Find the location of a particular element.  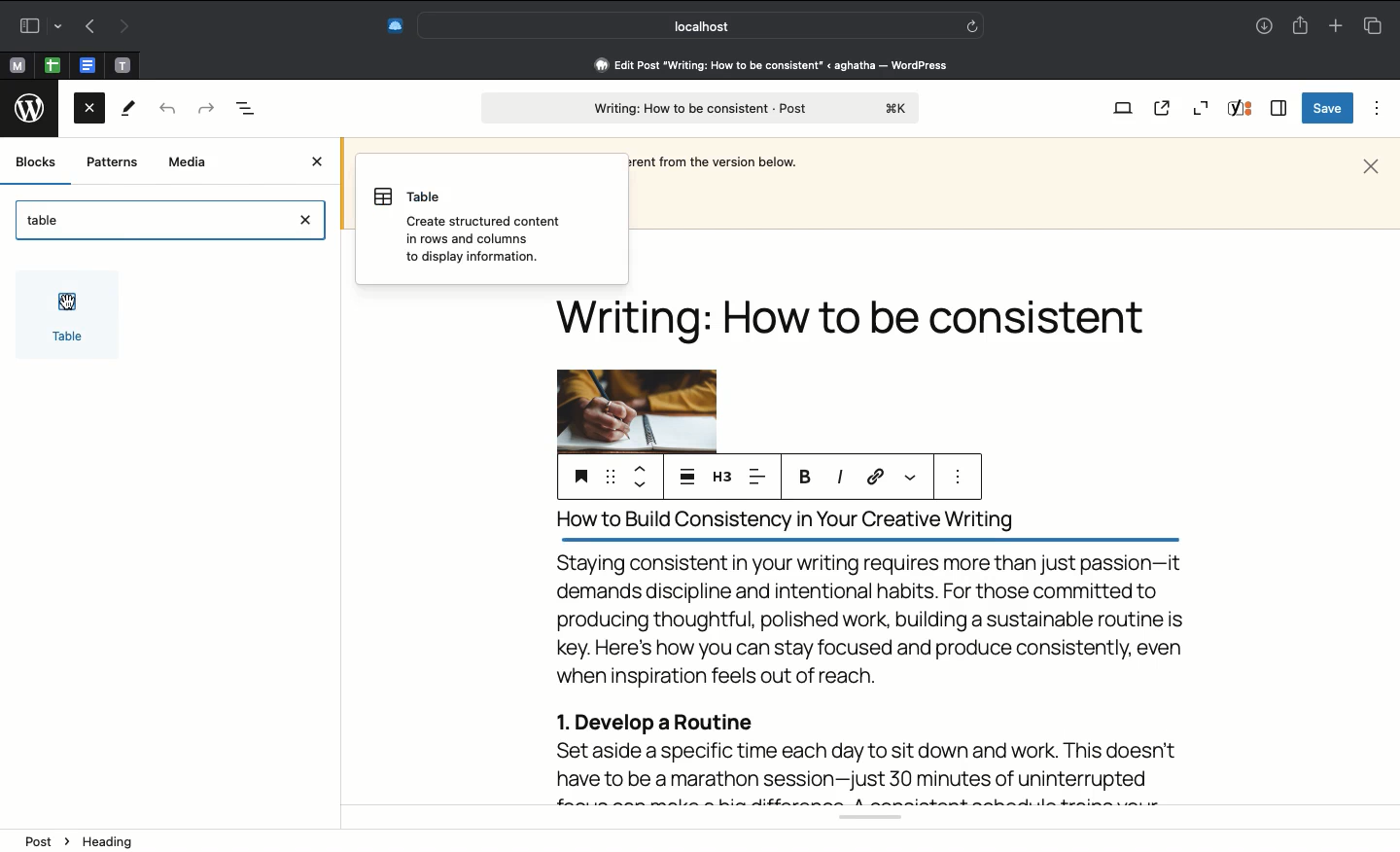

Zoom out is located at coordinates (1204, 106).